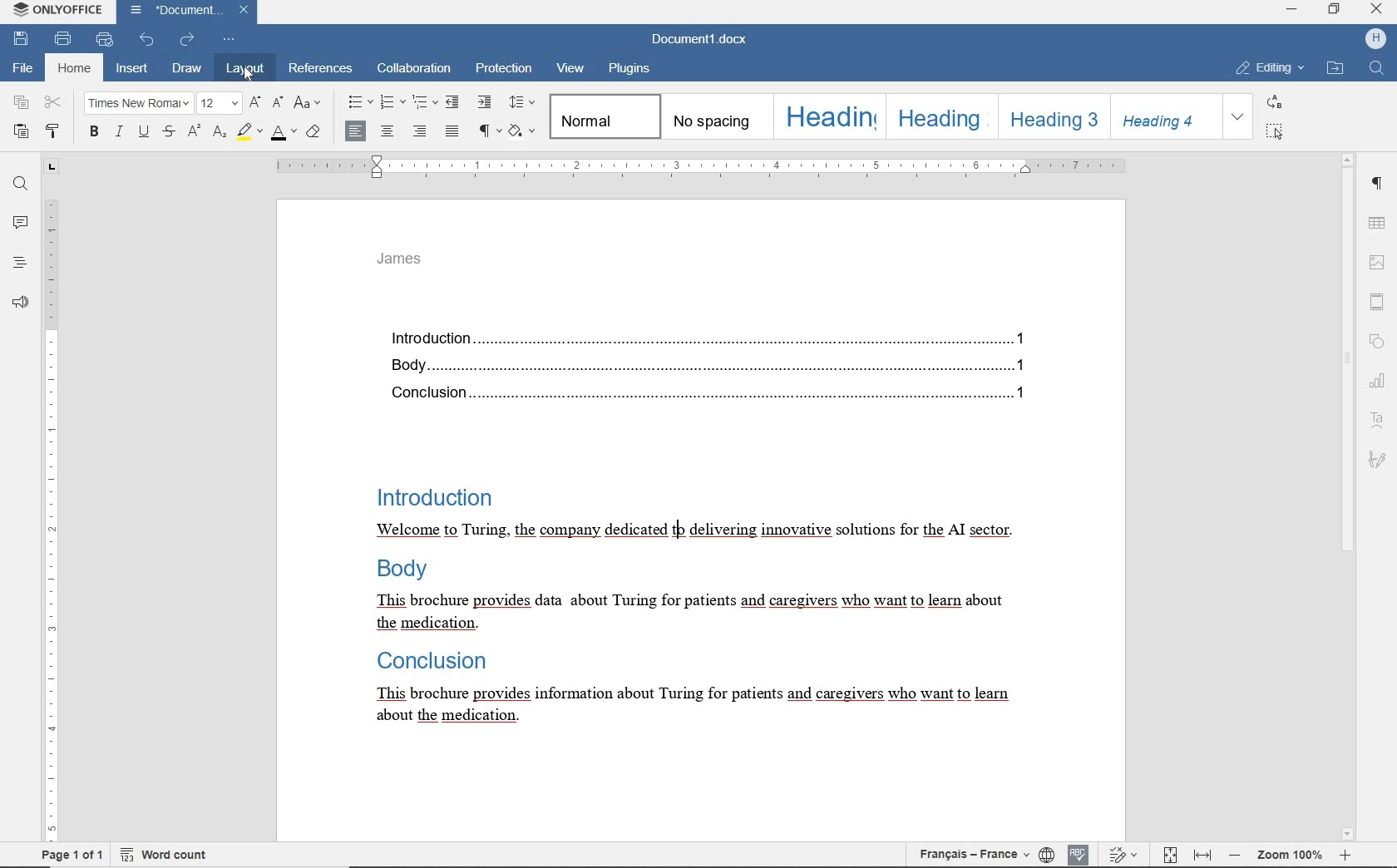 The height and width of the screenshot is (868, 1397). Describe the element at coordinates (718, 530) in the screenshot. I see `text` at that location.